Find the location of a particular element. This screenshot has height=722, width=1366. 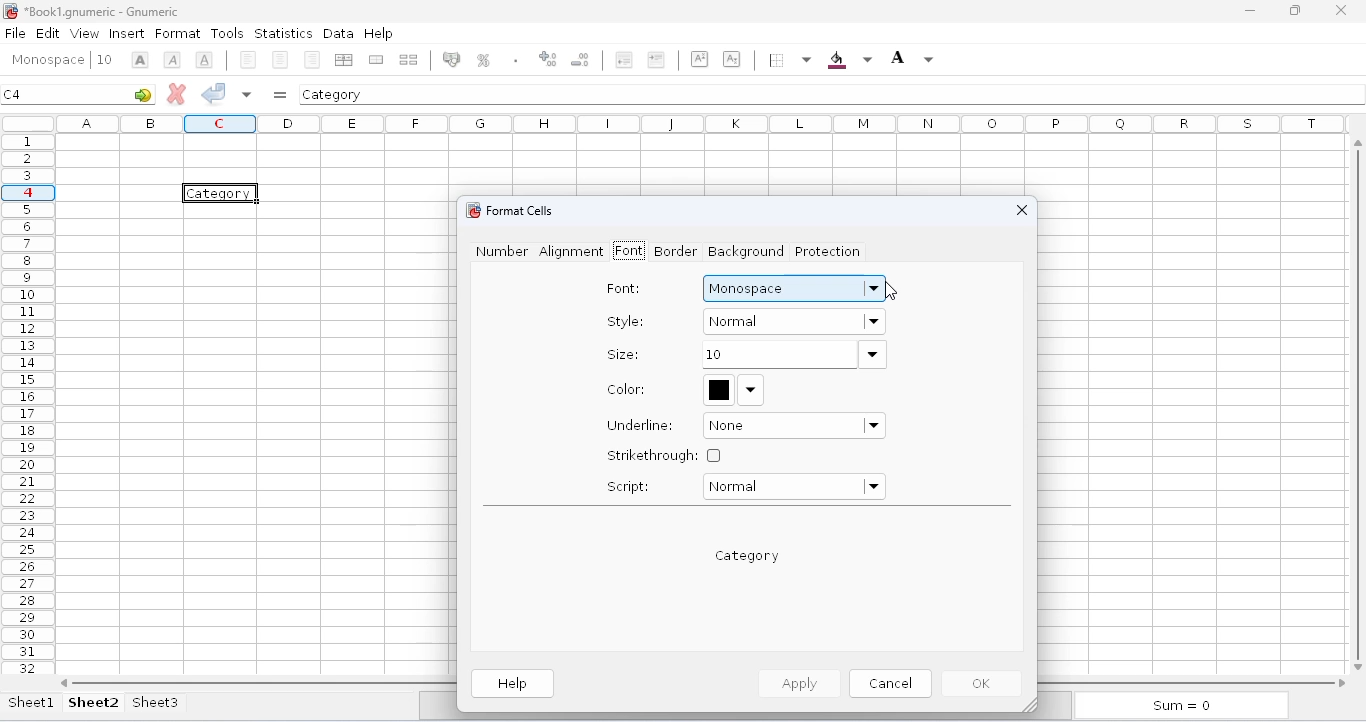

alignment is located at coordinates (571, 252).